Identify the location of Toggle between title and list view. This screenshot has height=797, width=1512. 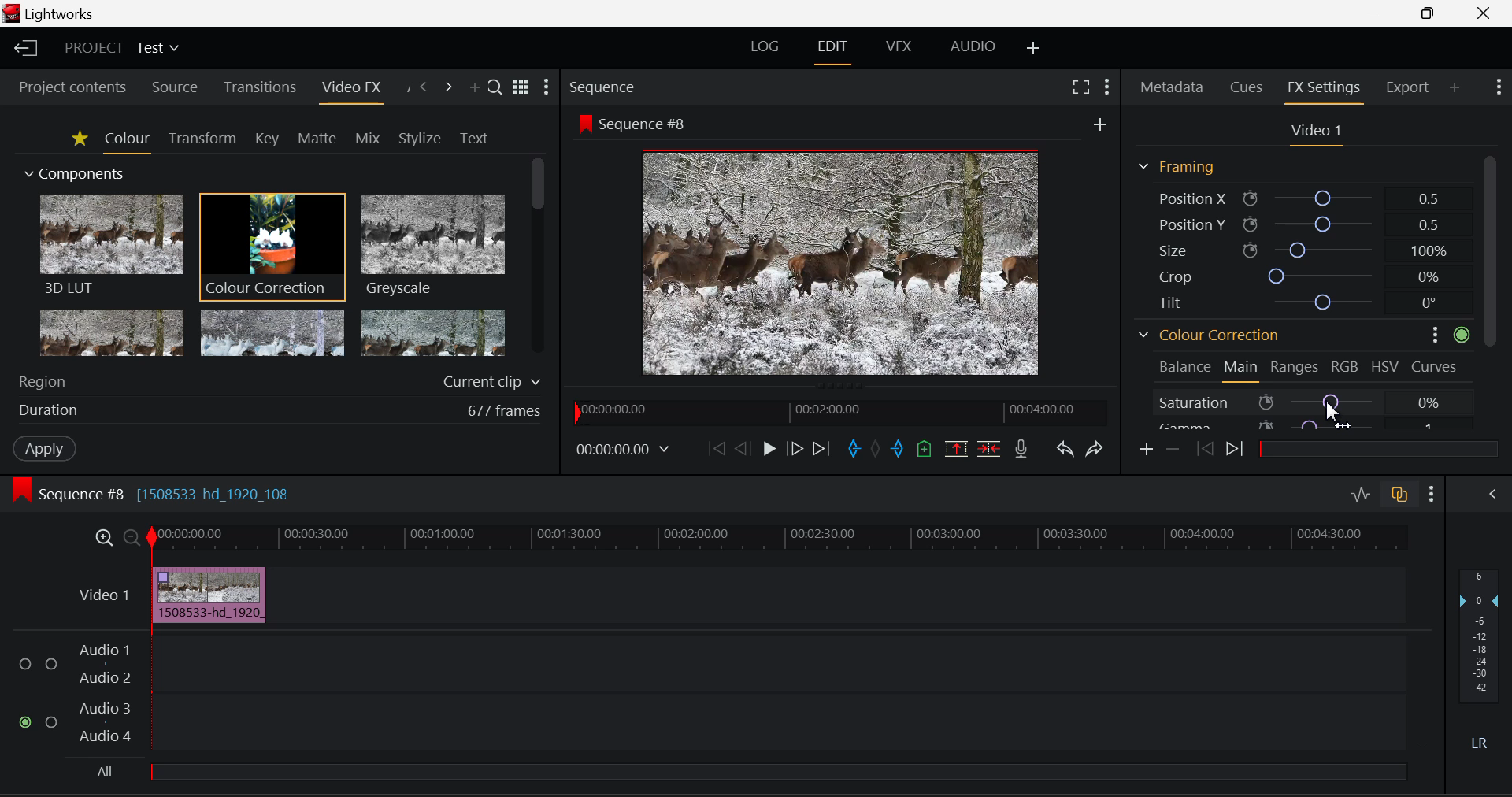
(521, 85).